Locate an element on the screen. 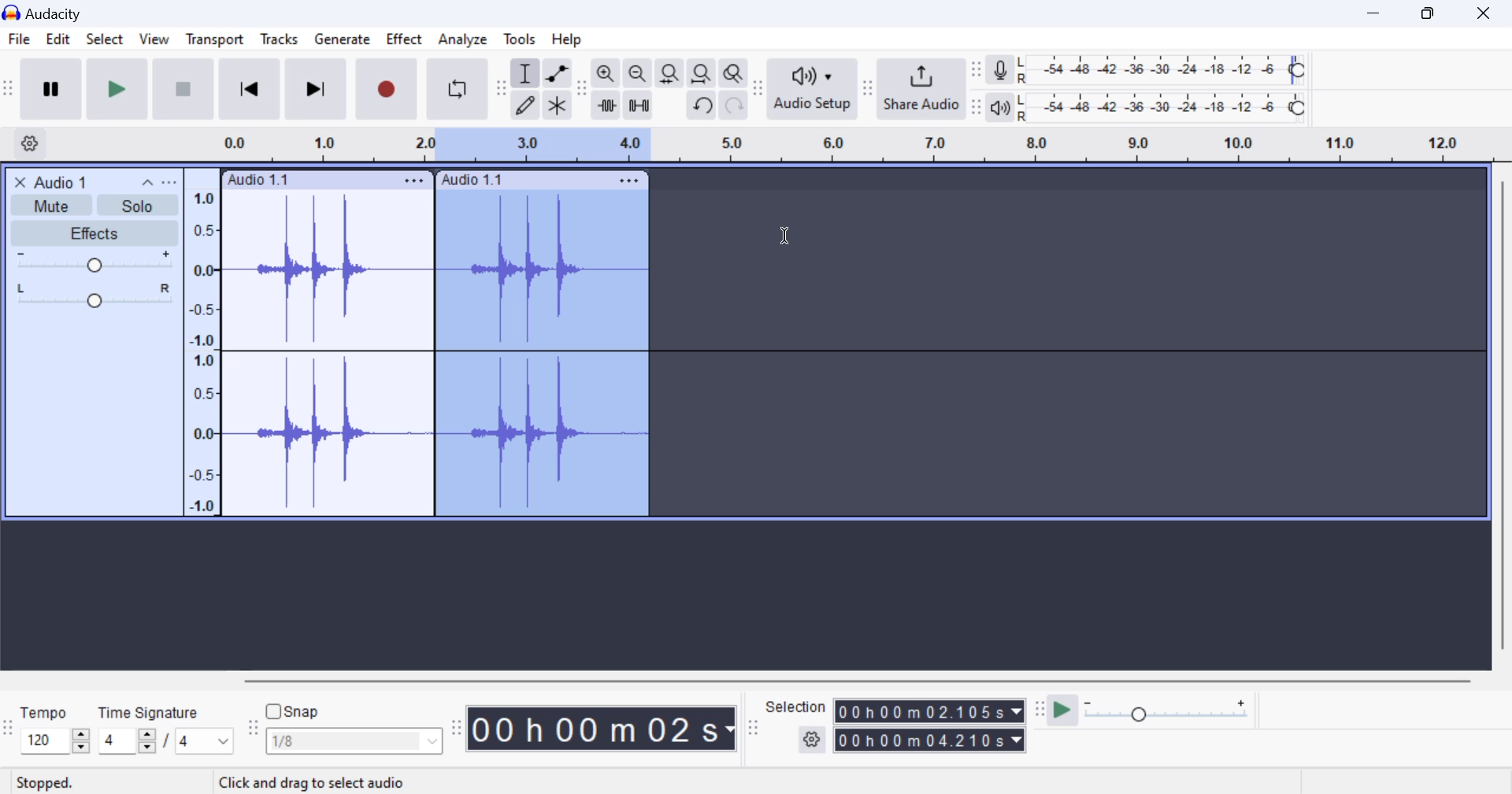  settings is located at coordinates (813, 740).